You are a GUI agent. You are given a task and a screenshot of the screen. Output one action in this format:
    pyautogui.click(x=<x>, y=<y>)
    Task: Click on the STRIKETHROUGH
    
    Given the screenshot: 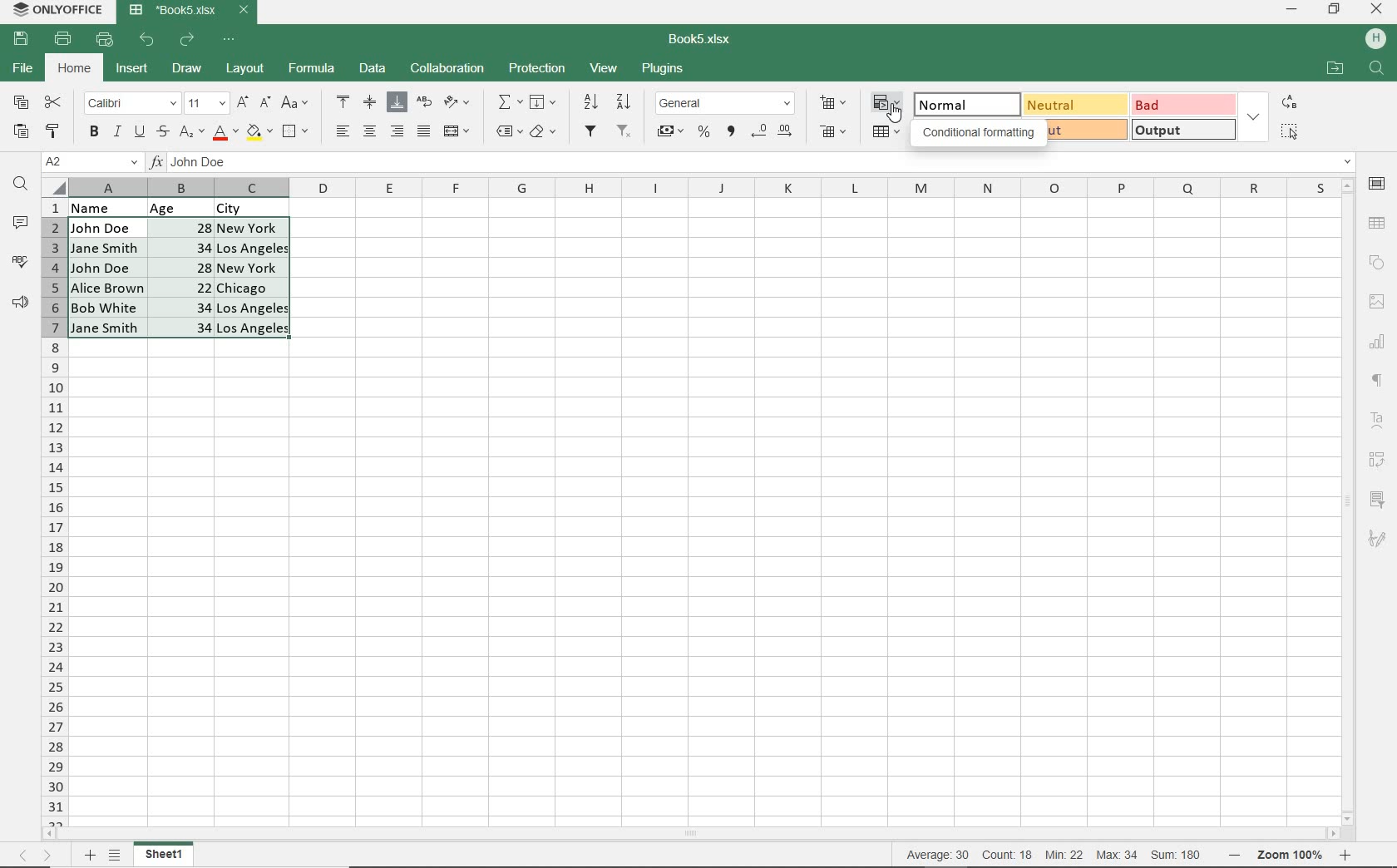 What is the action you would take?
    pyautogui.click(x=161, y=131)
    